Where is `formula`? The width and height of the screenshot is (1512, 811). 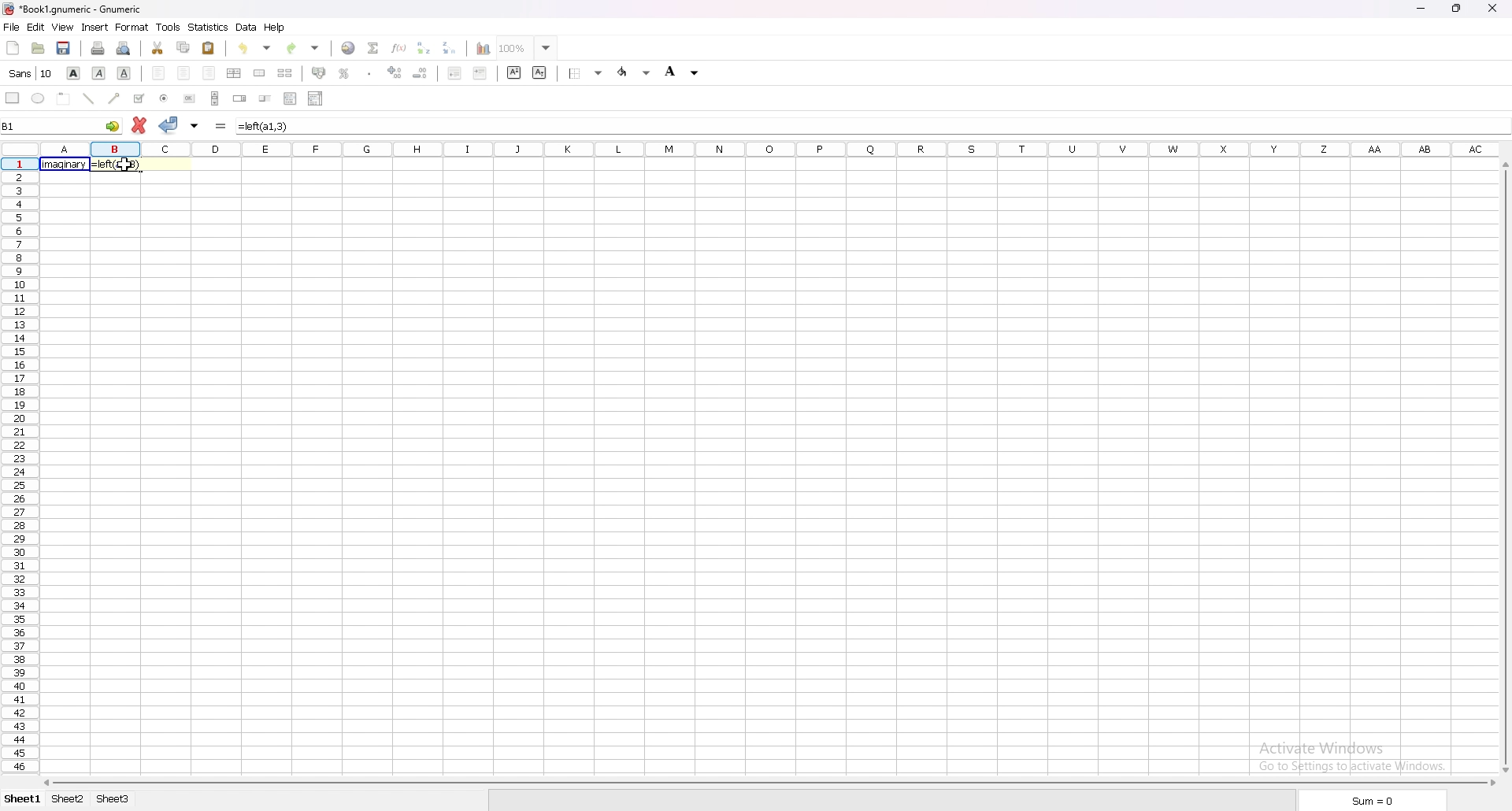
formula is located at coordinates (222, 125).